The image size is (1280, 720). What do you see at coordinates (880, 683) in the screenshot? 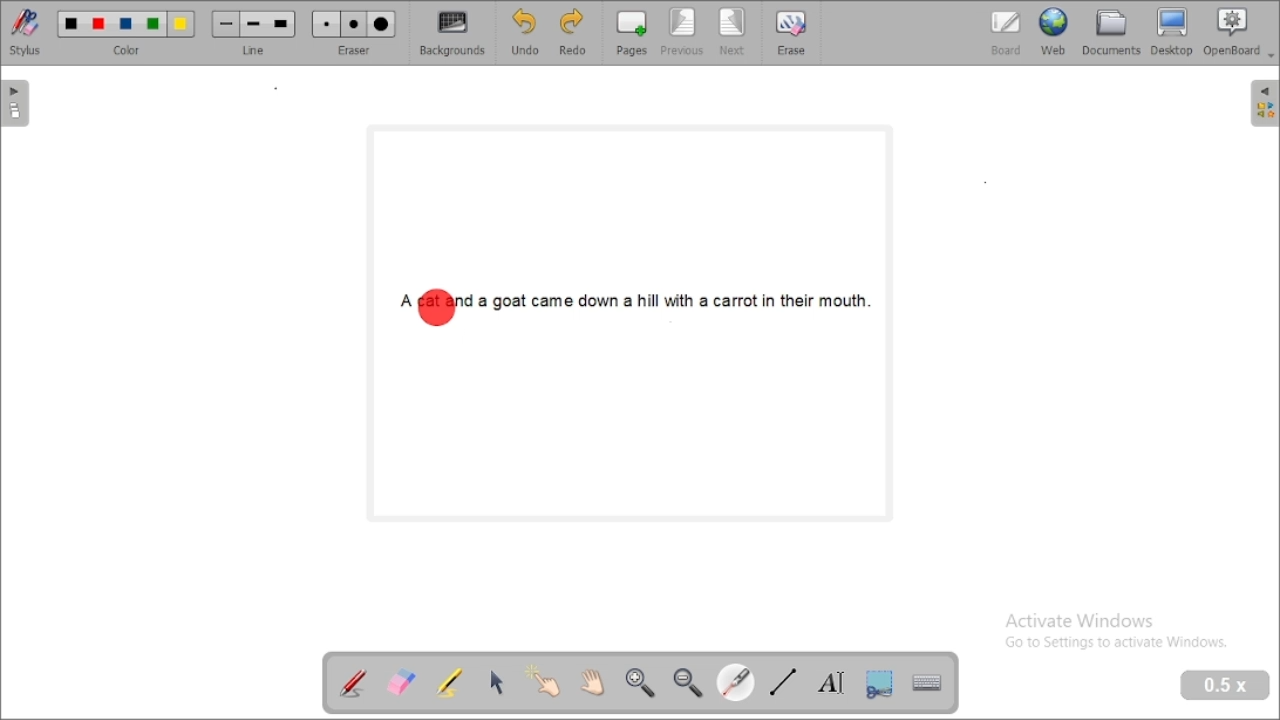
I see `capture part of the screen` at bounding box center [880, 683].